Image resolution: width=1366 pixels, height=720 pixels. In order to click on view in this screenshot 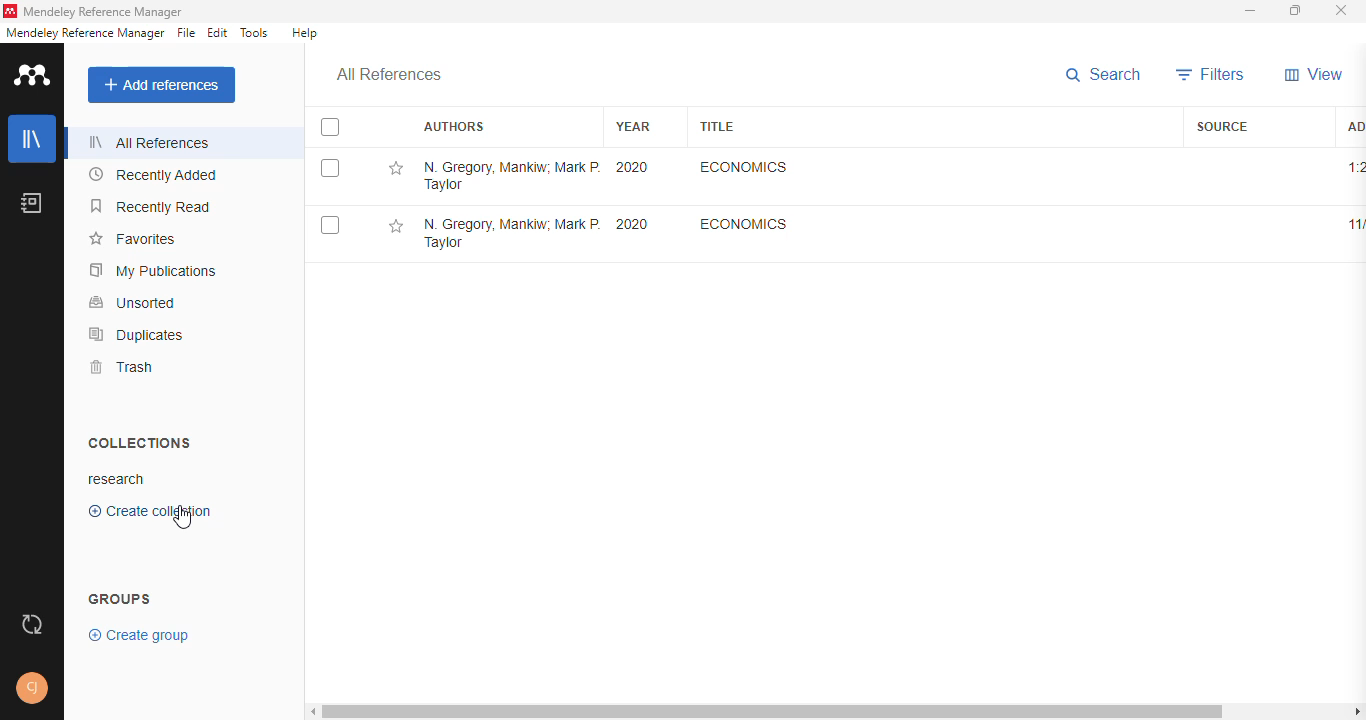, I will do `click(1314, 74)`.